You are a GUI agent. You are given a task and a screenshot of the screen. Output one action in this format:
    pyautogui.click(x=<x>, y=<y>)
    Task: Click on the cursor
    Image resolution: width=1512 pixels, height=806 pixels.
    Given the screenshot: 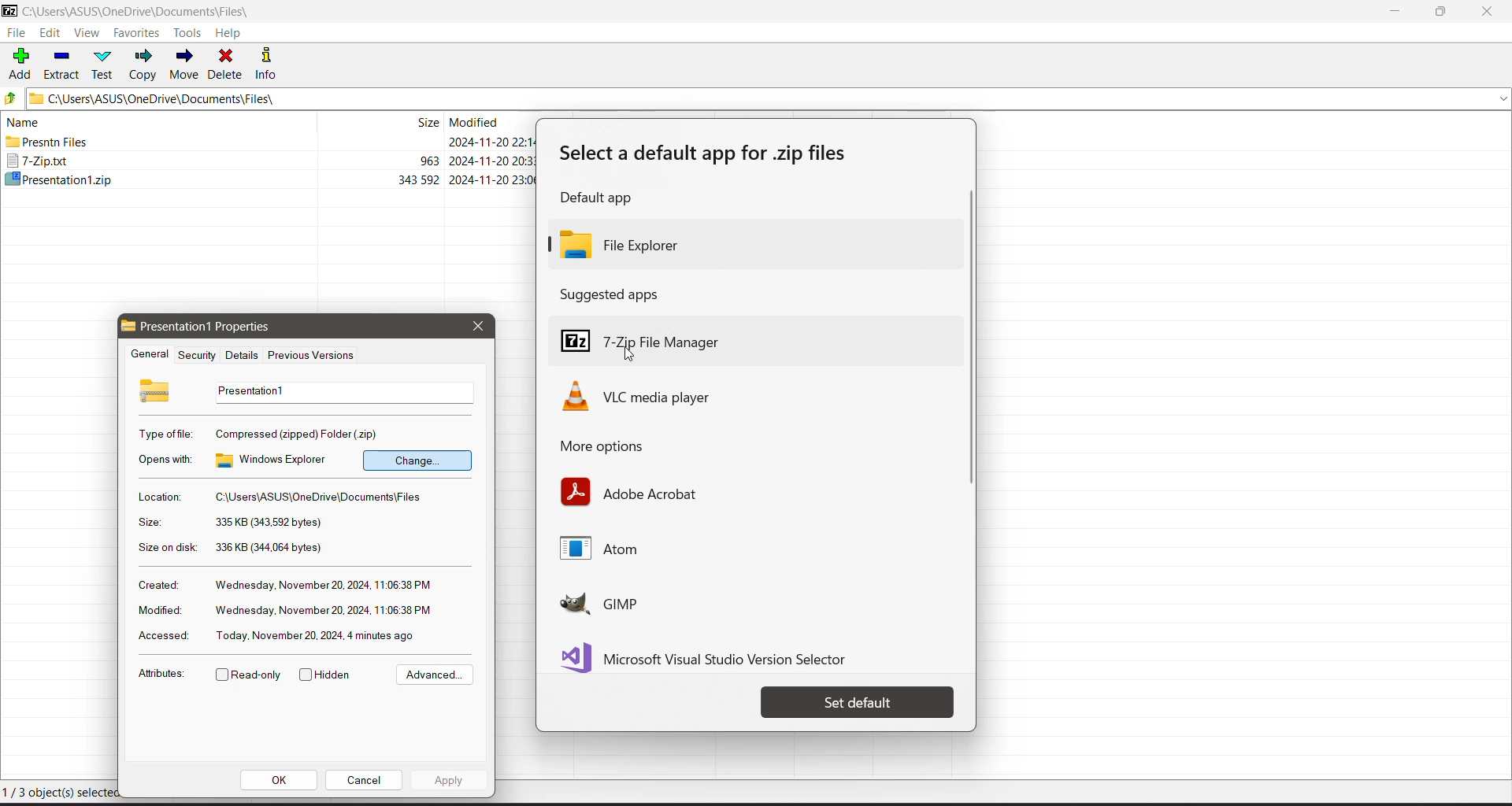 What is the action you would take?
    pyautogui.click(x=629, y=357)
    